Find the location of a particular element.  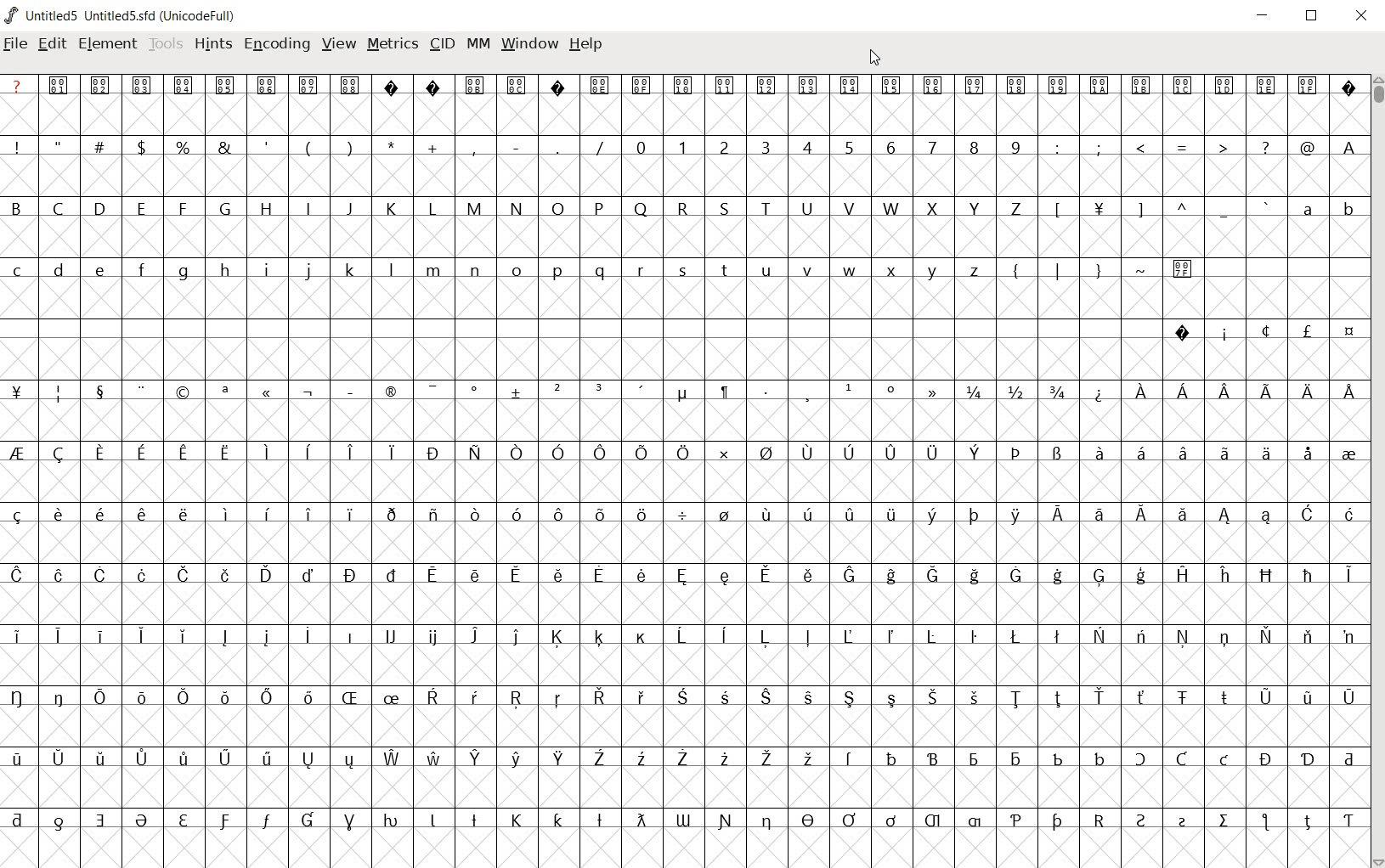

Symbol is located at coordinates (935, 86).